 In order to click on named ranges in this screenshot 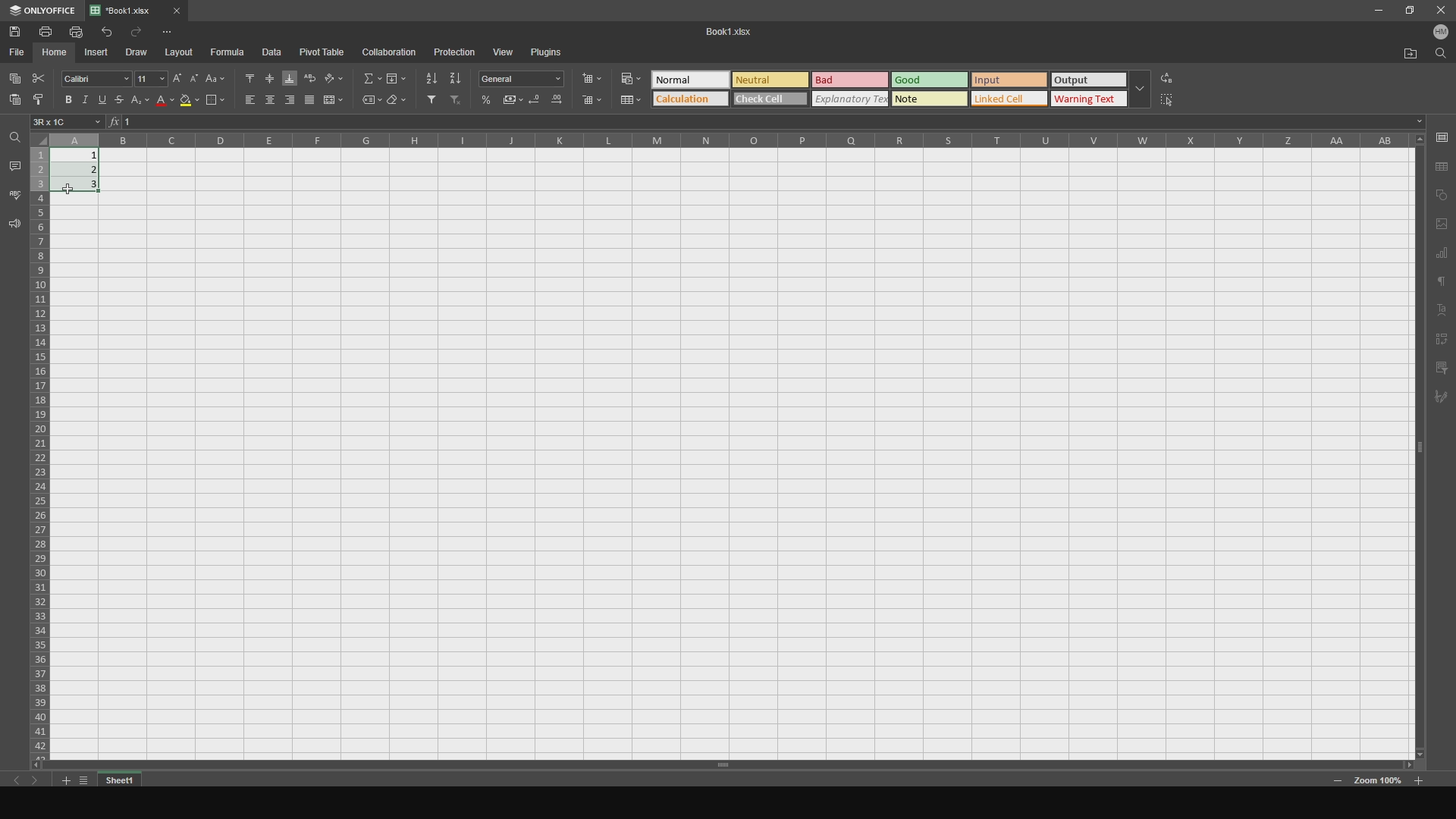, I will do `click(366, 102)`.